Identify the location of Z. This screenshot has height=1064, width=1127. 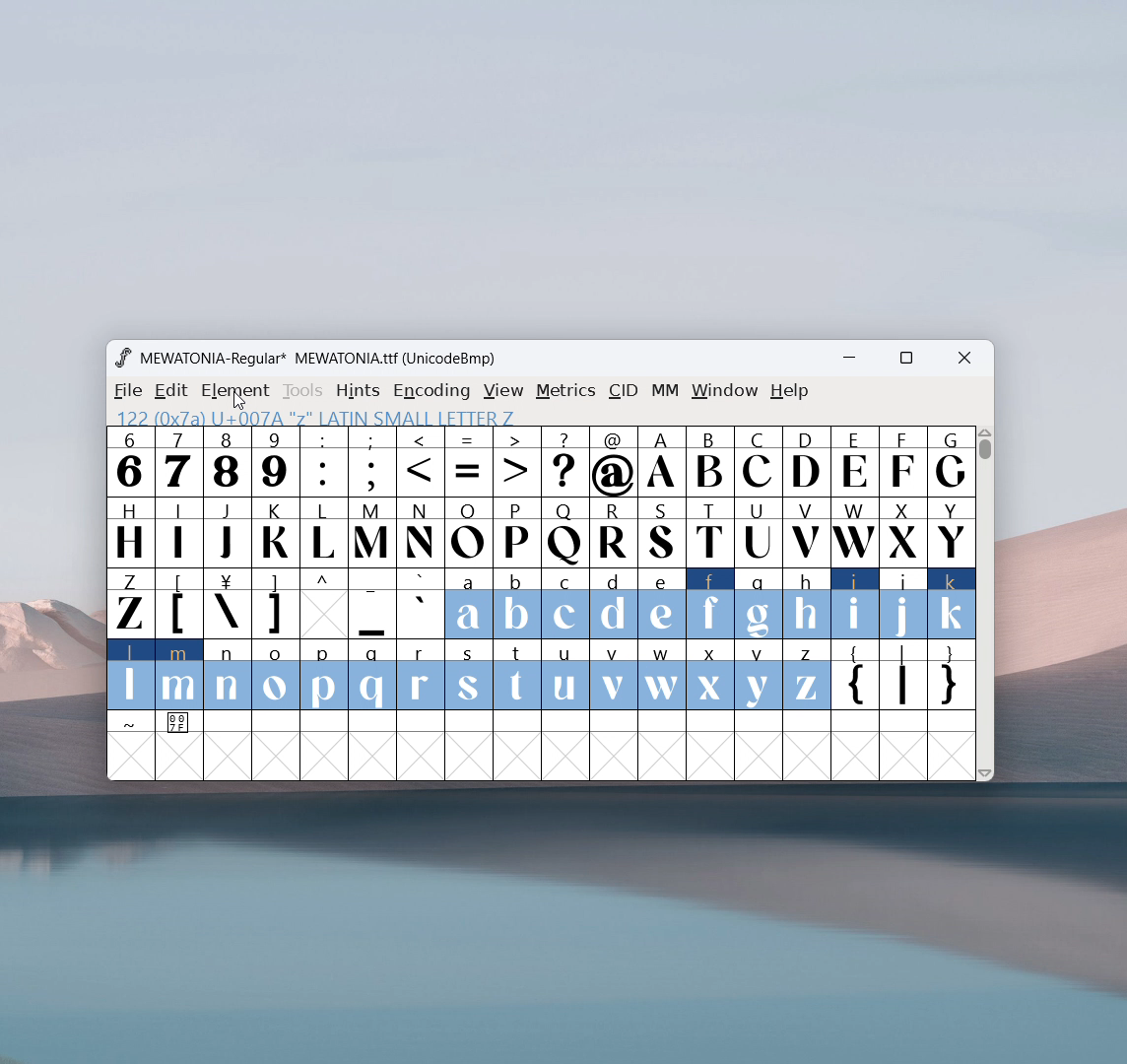
(129, 602).